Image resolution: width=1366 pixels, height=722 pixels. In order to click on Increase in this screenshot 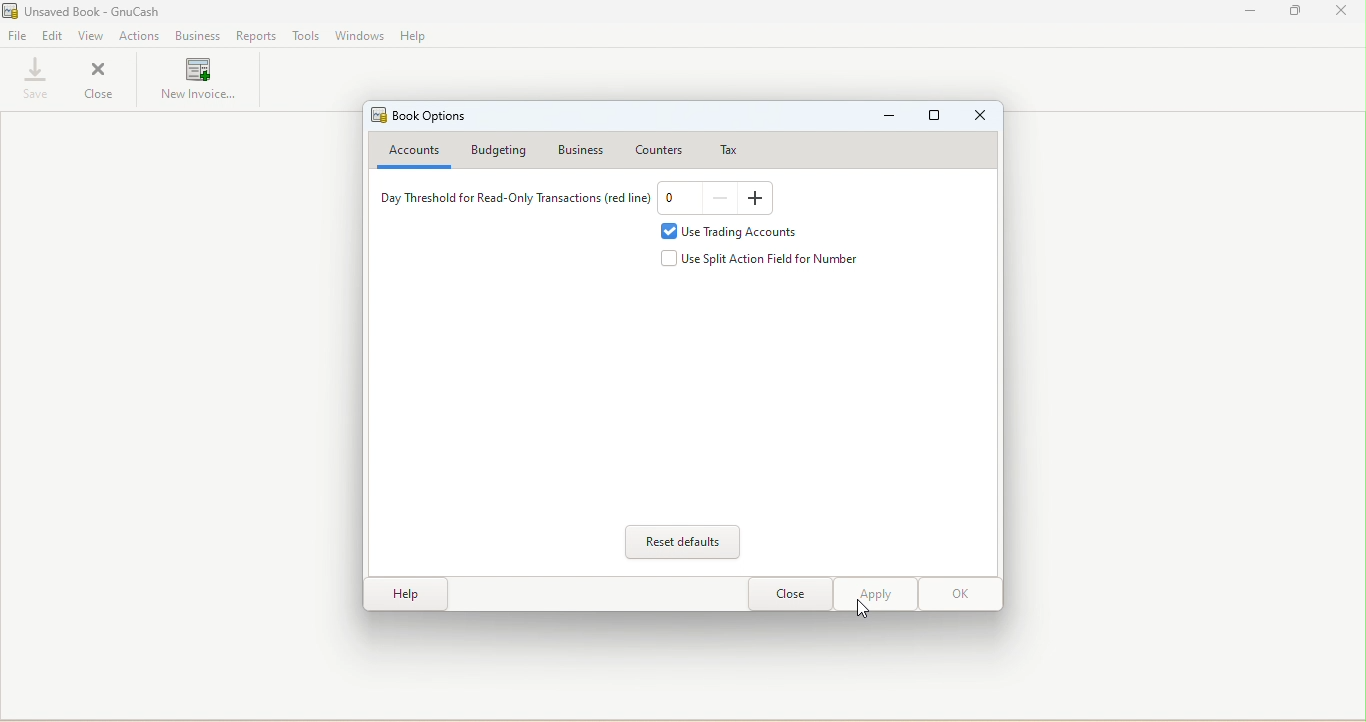, I will do `click(757, 199)`.